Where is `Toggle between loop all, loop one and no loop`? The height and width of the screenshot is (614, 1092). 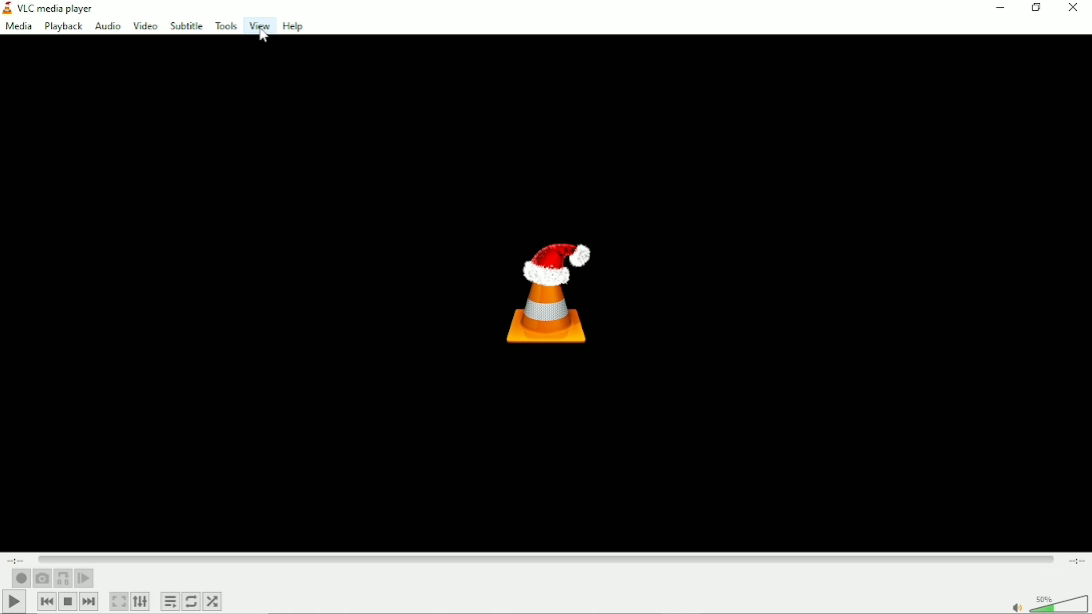
Toggle between loop all, loop one and no loop is located at coordinates (191, 601).